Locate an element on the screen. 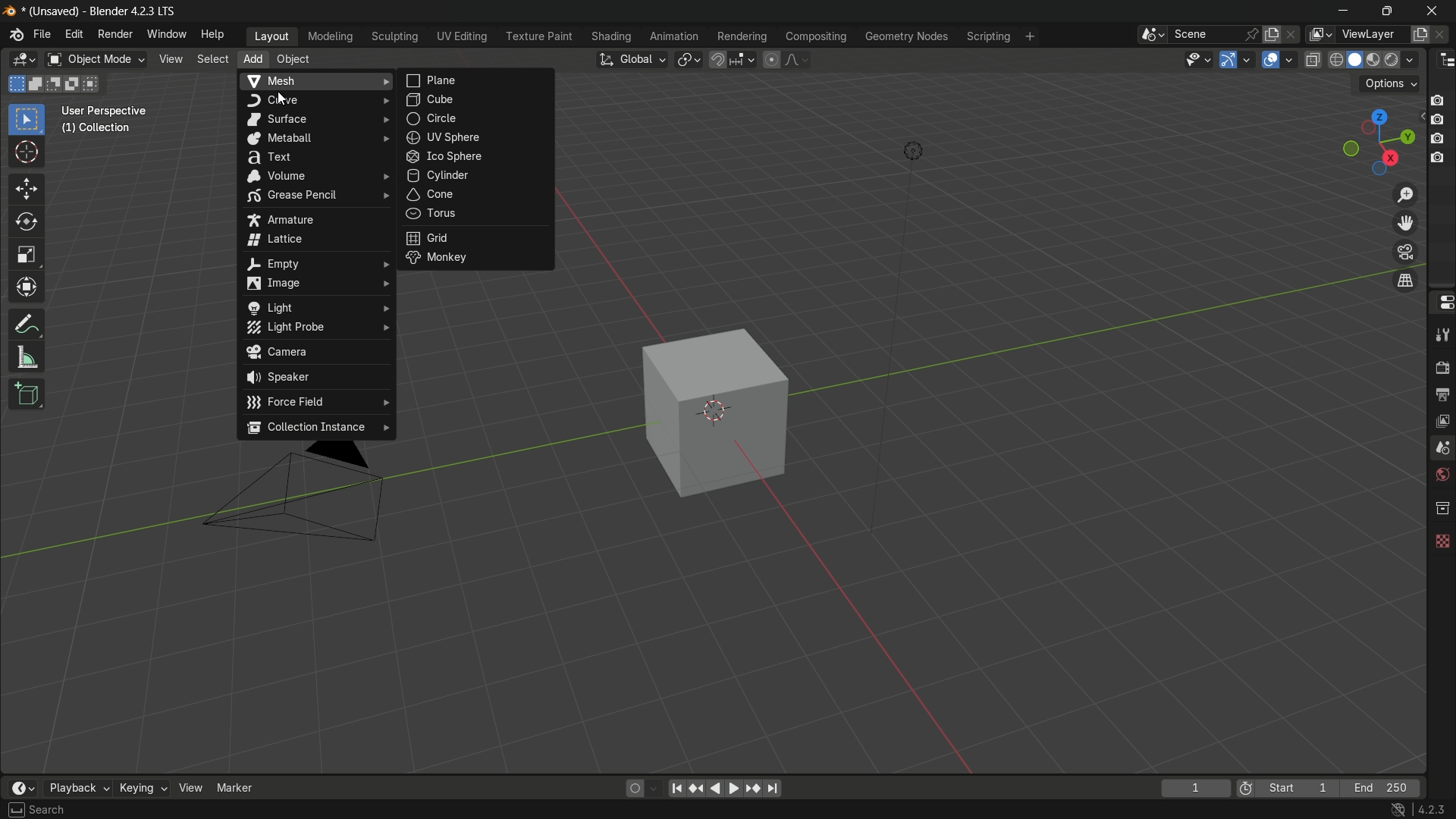 This screenshot has width=1456, height=819. blender logo is located at coordinates (14, 36).